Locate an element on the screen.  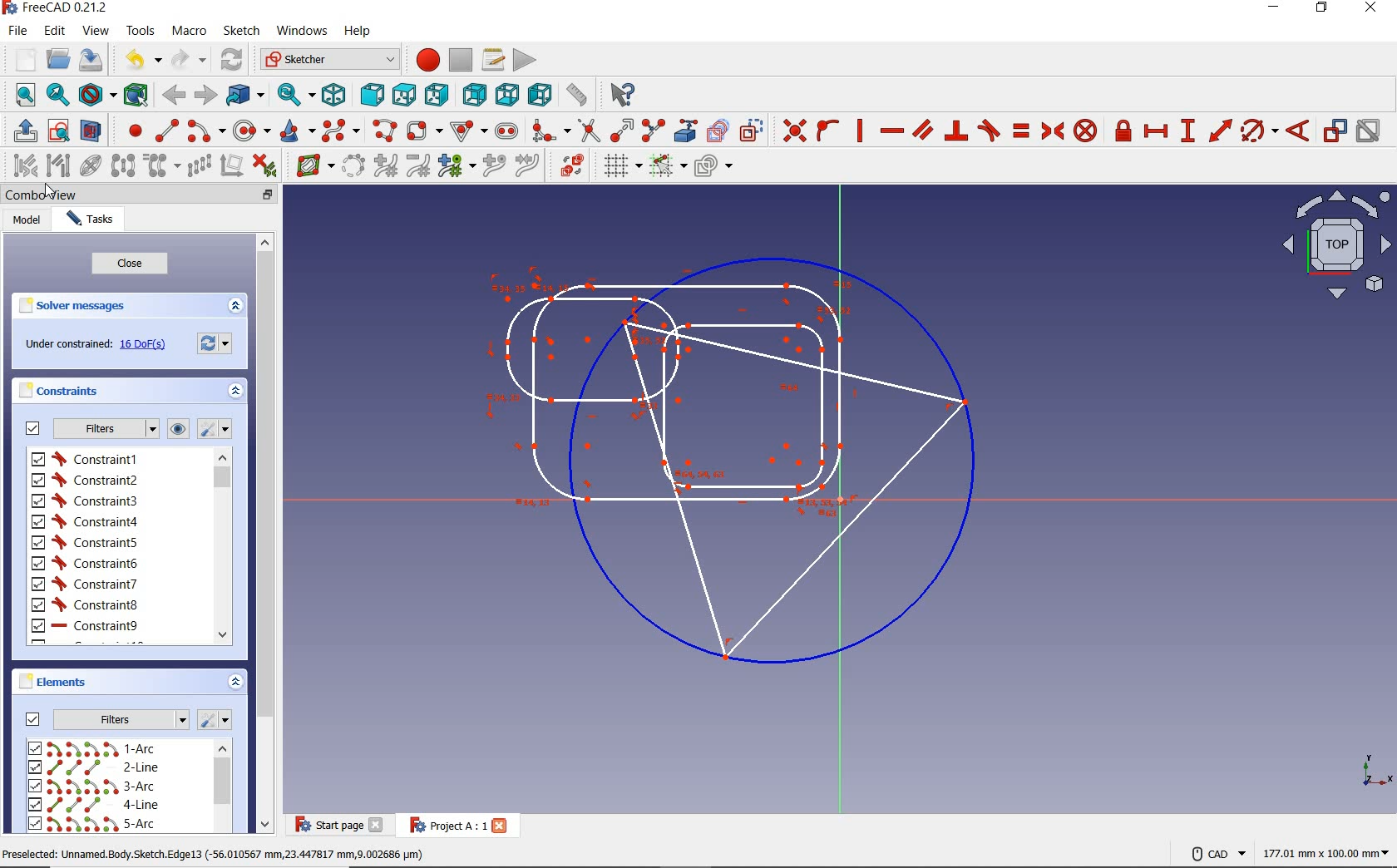
macros is located at coordinates (492, 60).